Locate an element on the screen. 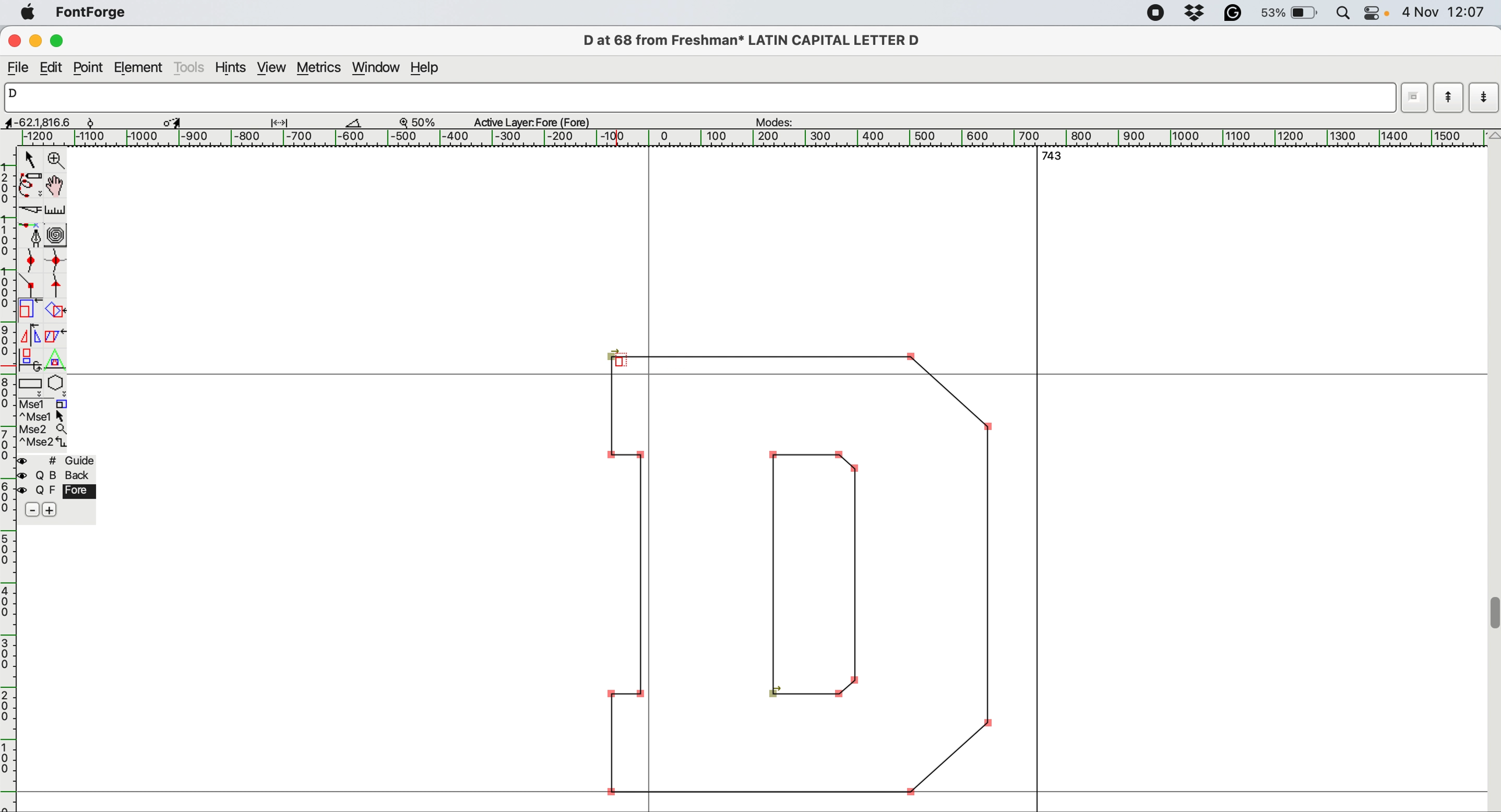 The height and width of the screenshot is (812, 1501). magnify is located at coordinates (56, 160).